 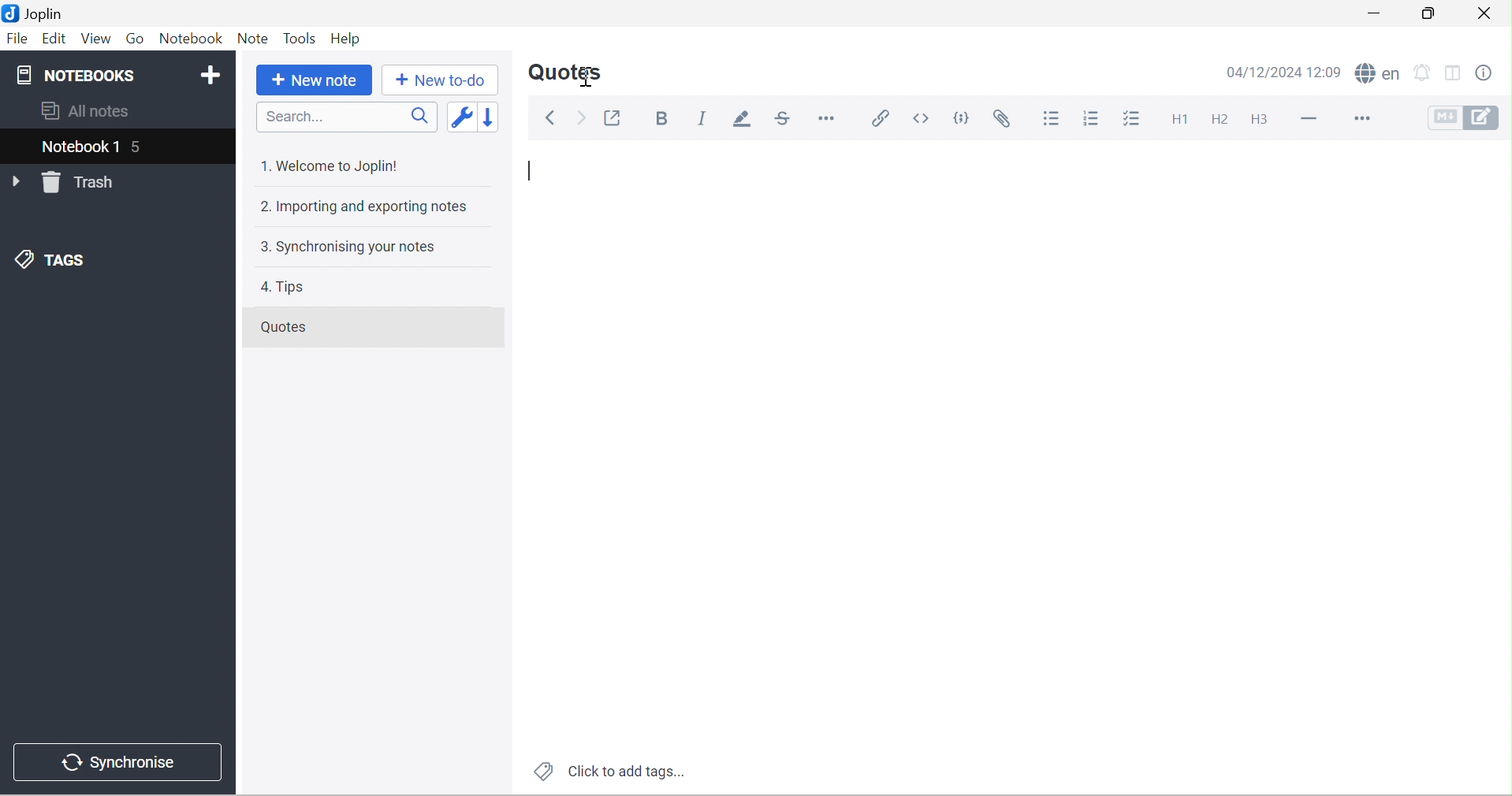 I want to click on Trash, so click(x=84, y=183).